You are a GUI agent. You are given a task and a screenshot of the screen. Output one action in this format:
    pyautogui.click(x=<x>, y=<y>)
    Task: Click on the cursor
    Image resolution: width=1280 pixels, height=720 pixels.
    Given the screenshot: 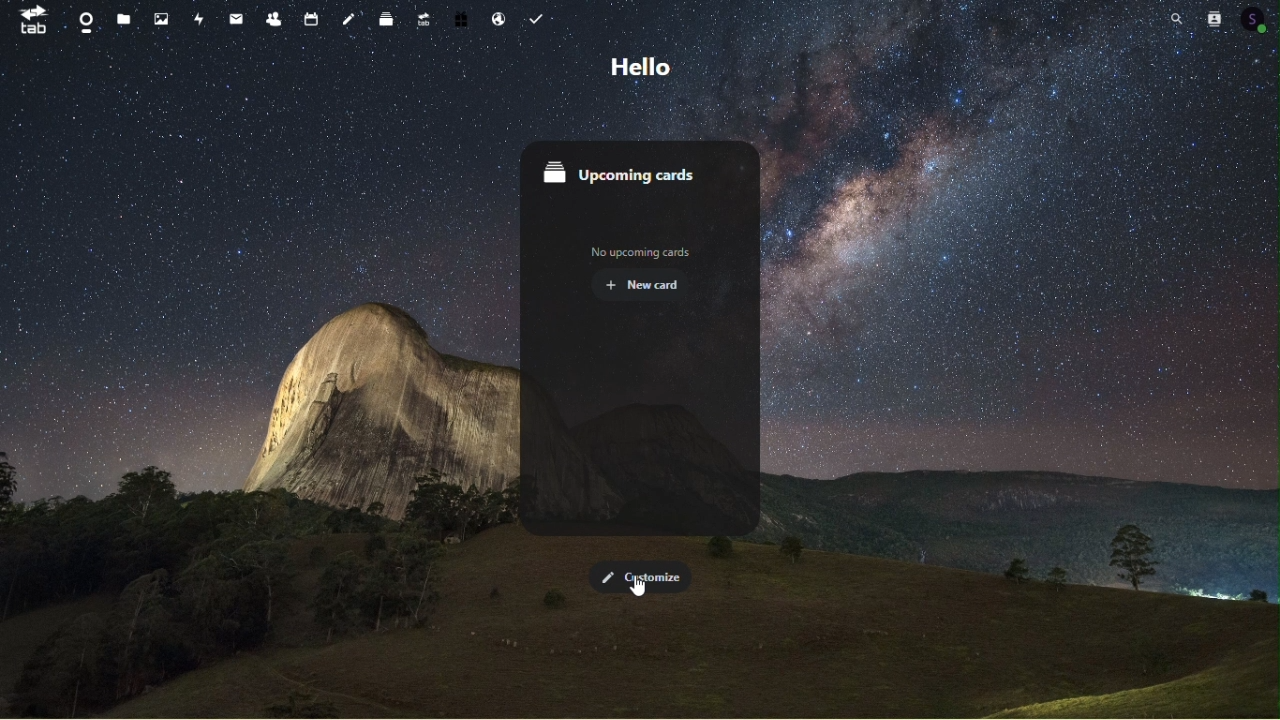 What is the action you would take?
    pyautogui.click(x=638, y=588)
    